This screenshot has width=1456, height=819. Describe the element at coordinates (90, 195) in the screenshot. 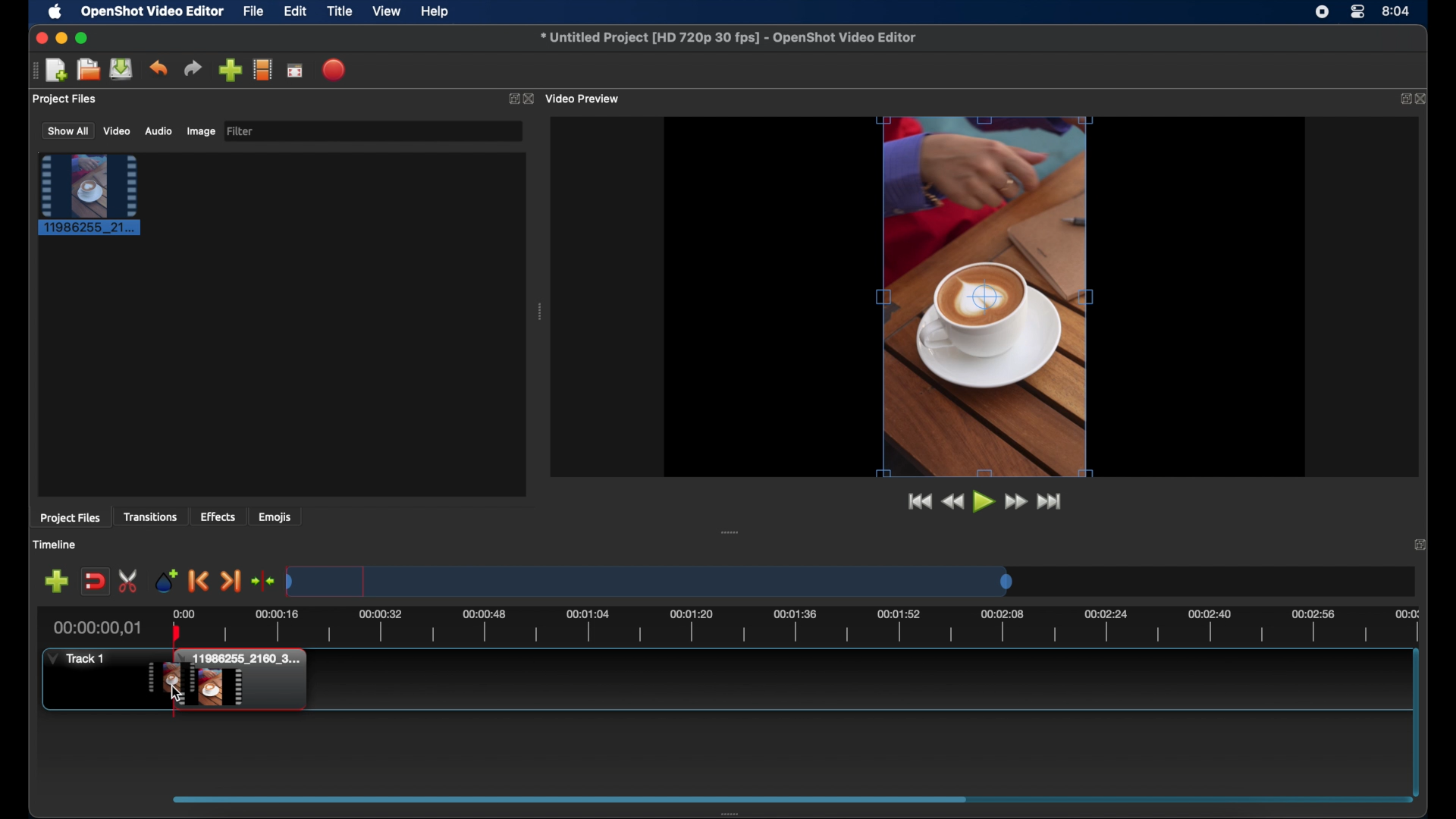

I see `project file` at that location.